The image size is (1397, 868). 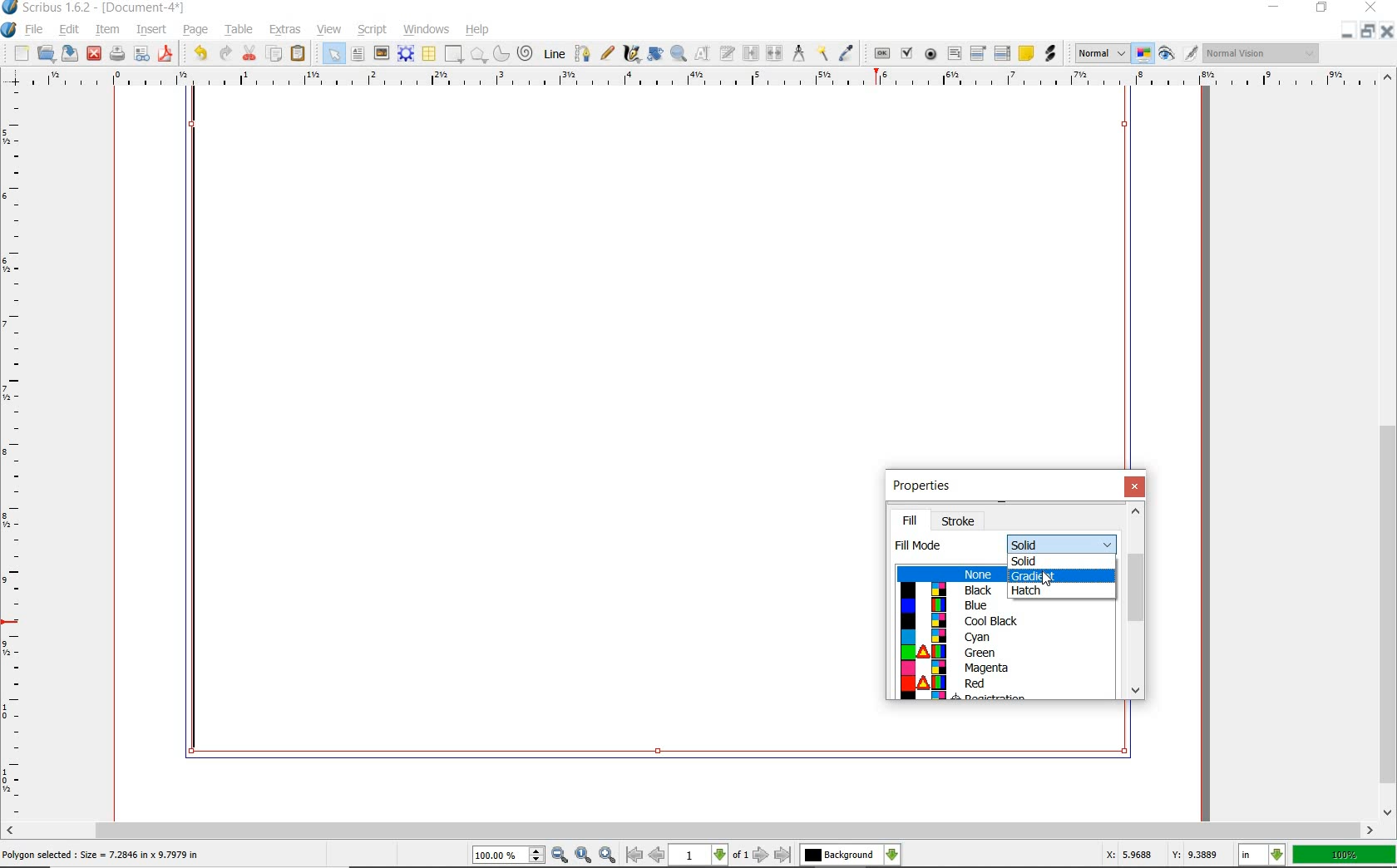 What do you see at coordinates (510, 856) in the screenshot?
I see `100.00%` at bounding box center [510, 856].